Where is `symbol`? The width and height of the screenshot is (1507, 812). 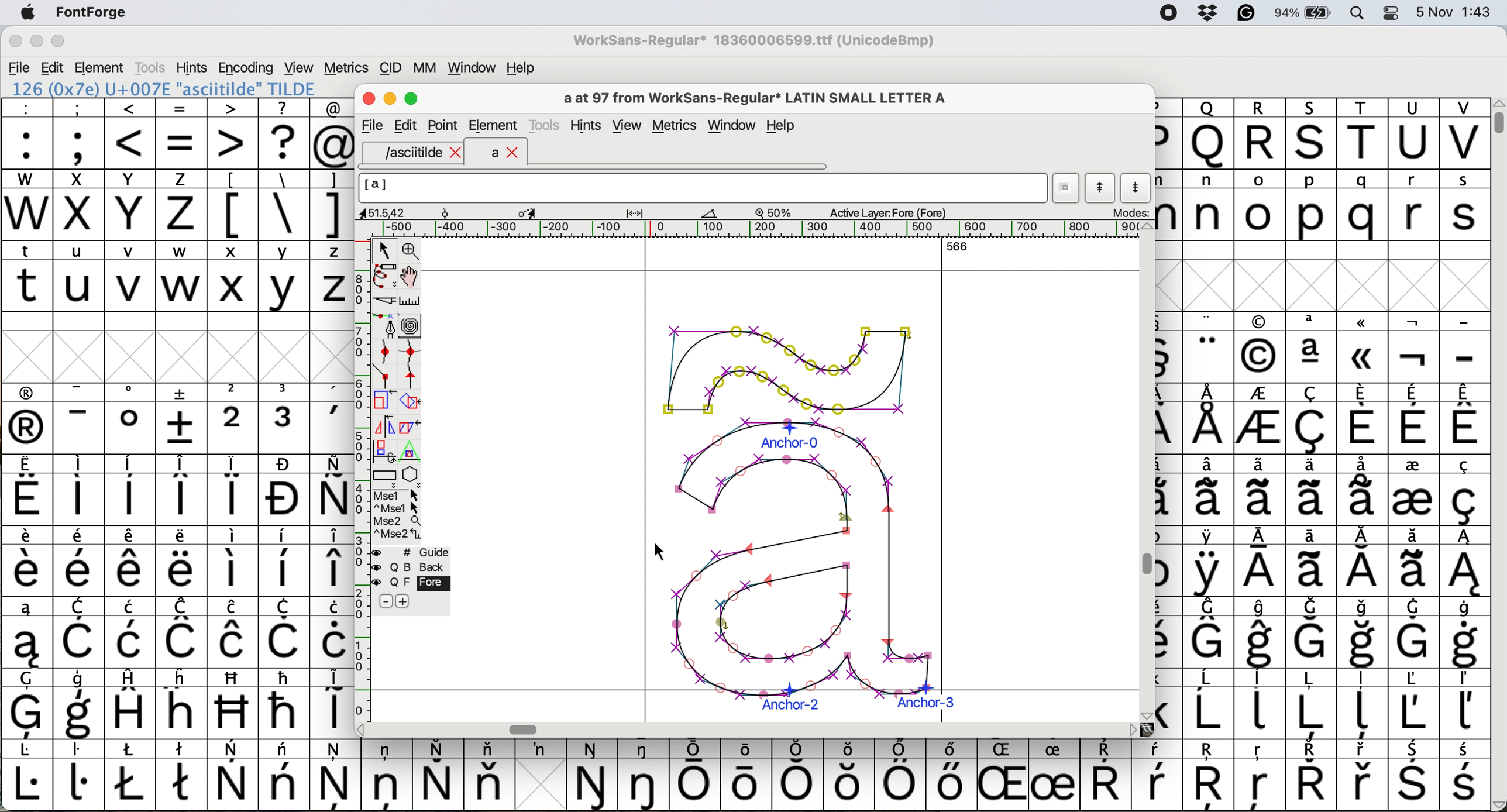
symbol is located at coordinates (183, 490).